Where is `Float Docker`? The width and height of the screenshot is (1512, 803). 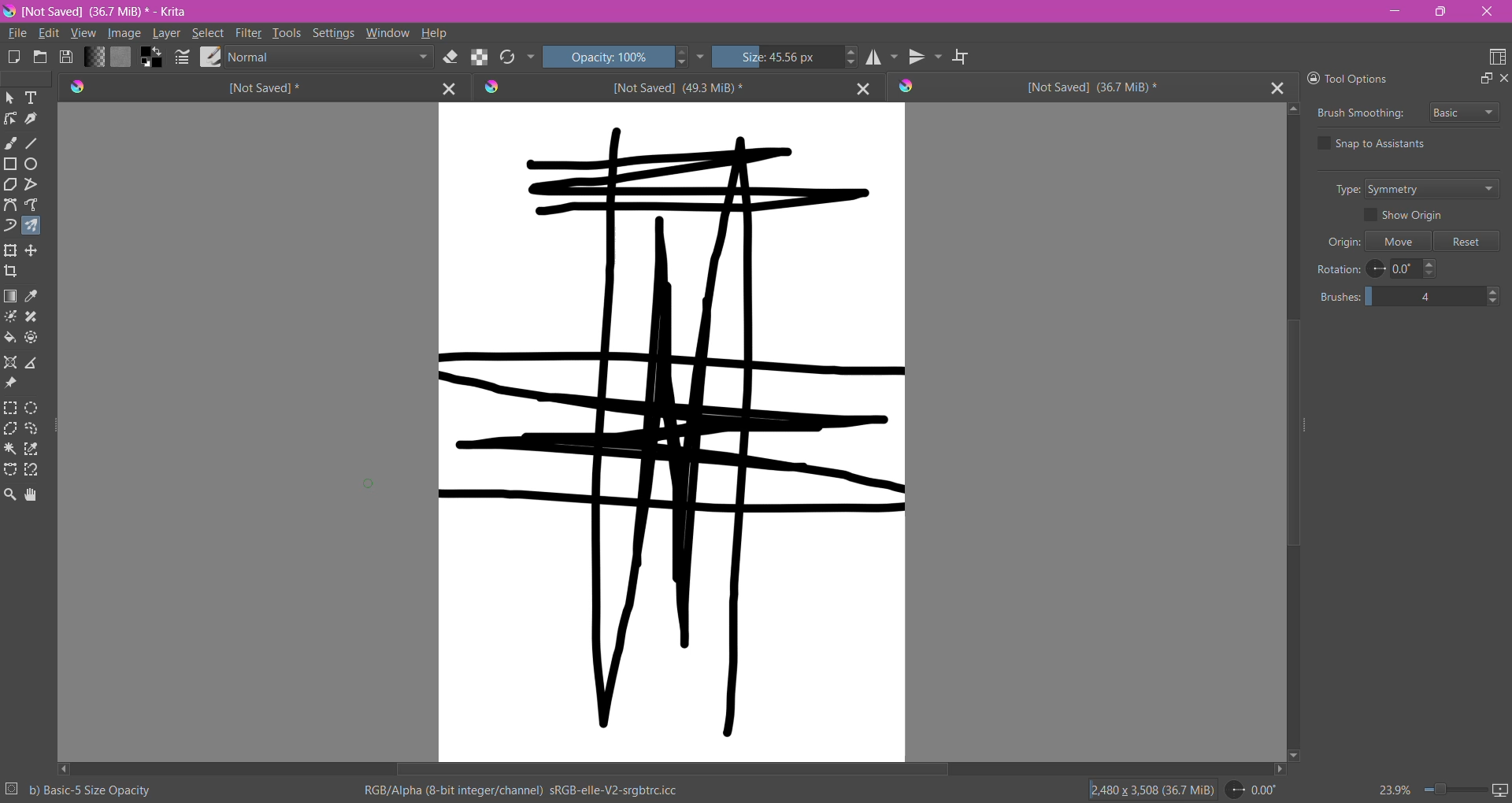 Float Docker is located at coordinates (1484, 79).